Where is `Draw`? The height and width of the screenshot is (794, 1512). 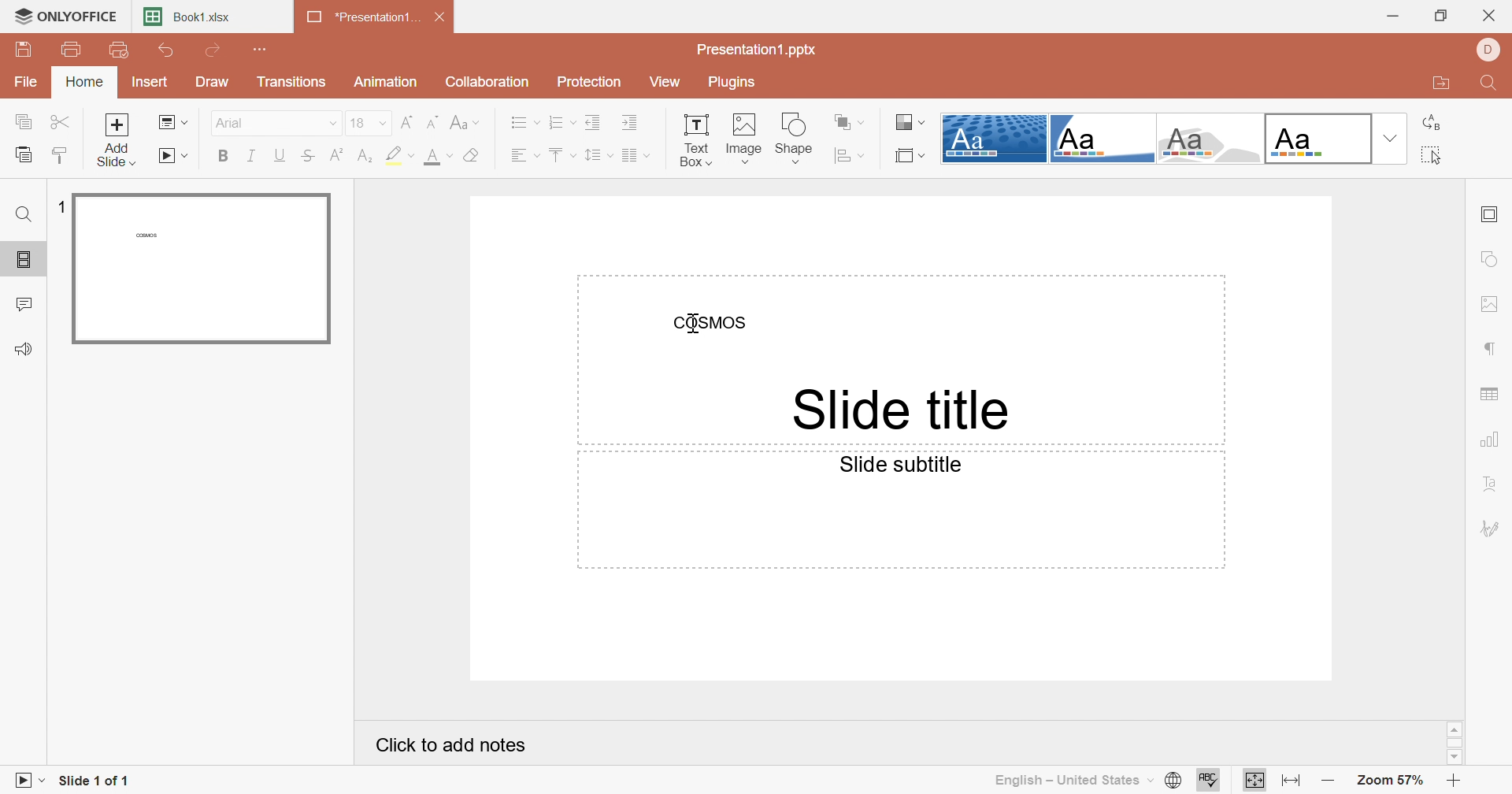
Draw is located at coordinates (212, 82).